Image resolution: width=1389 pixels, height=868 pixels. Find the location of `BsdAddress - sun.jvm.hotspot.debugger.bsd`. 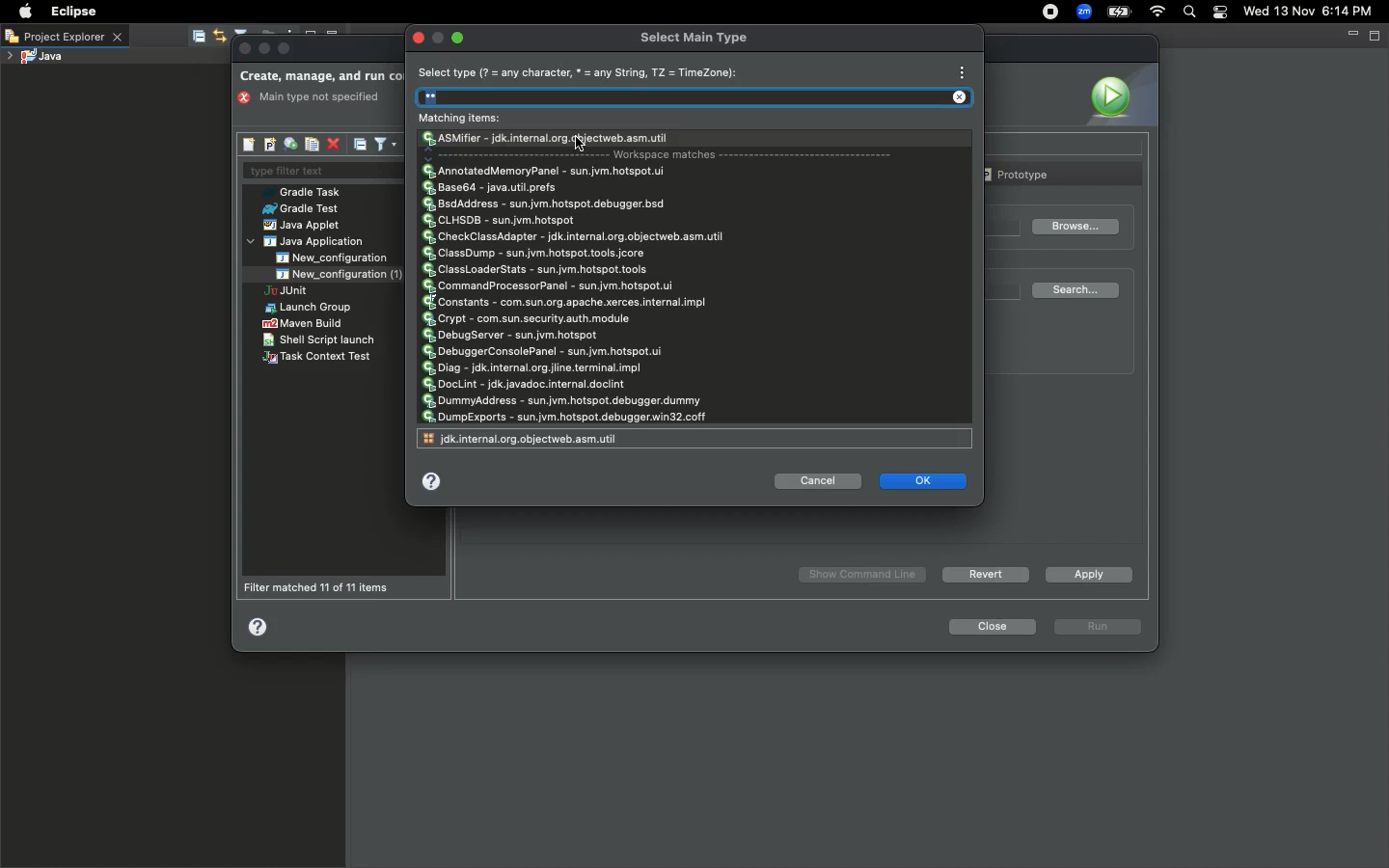

BsdAddress - sun.jvm.hotspot.debugger.bsd is located at coordinates (546, 205).